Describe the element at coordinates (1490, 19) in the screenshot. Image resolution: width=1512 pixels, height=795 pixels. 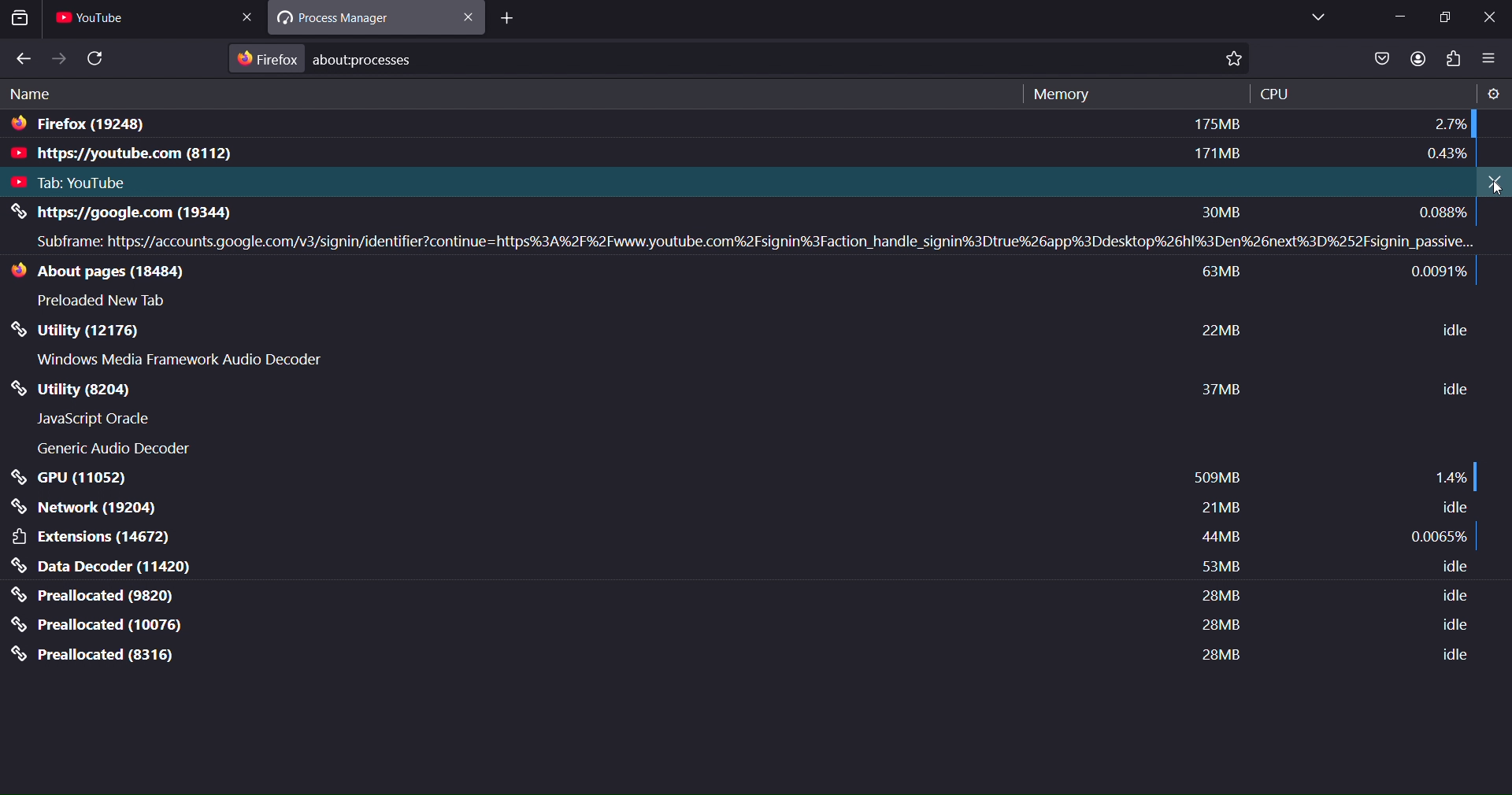
I see `close` at that location.